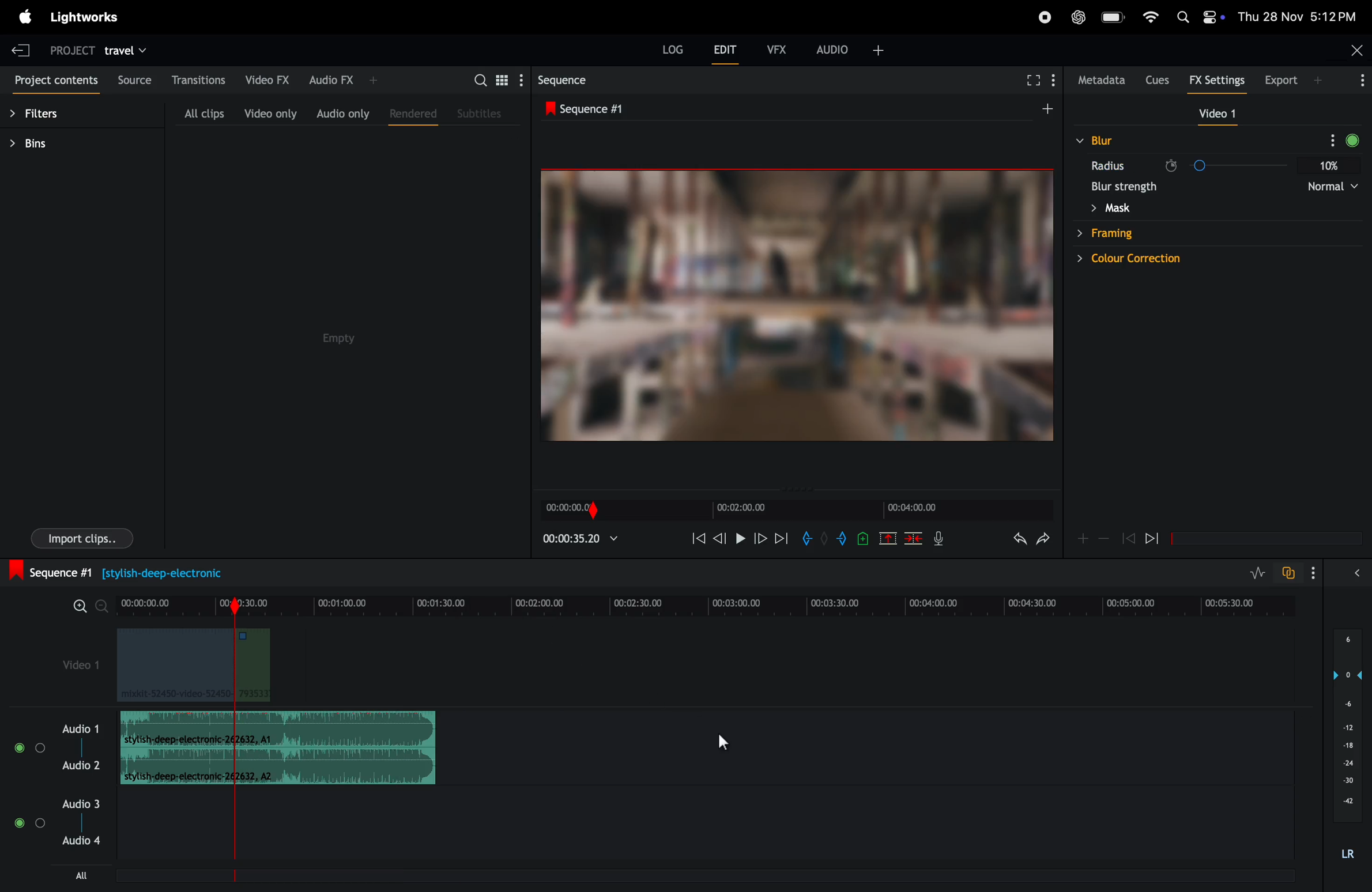  What do you see at coordinates (1044, 18) in the screenshot?
I see `record` at bounding box center [1044, 18].